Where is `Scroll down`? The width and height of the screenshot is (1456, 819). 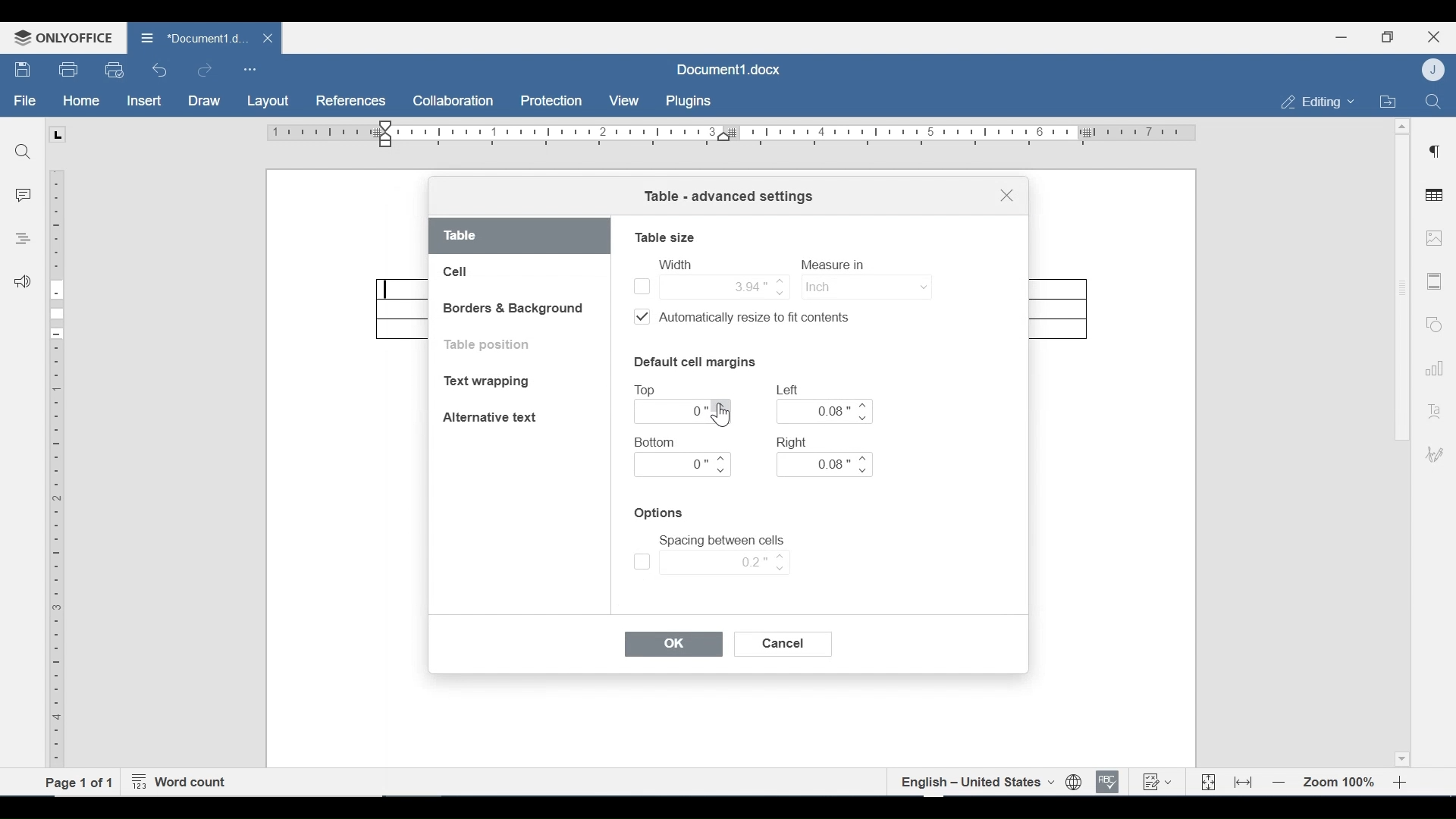
Scroll down is located at coordinates (1401, 757).